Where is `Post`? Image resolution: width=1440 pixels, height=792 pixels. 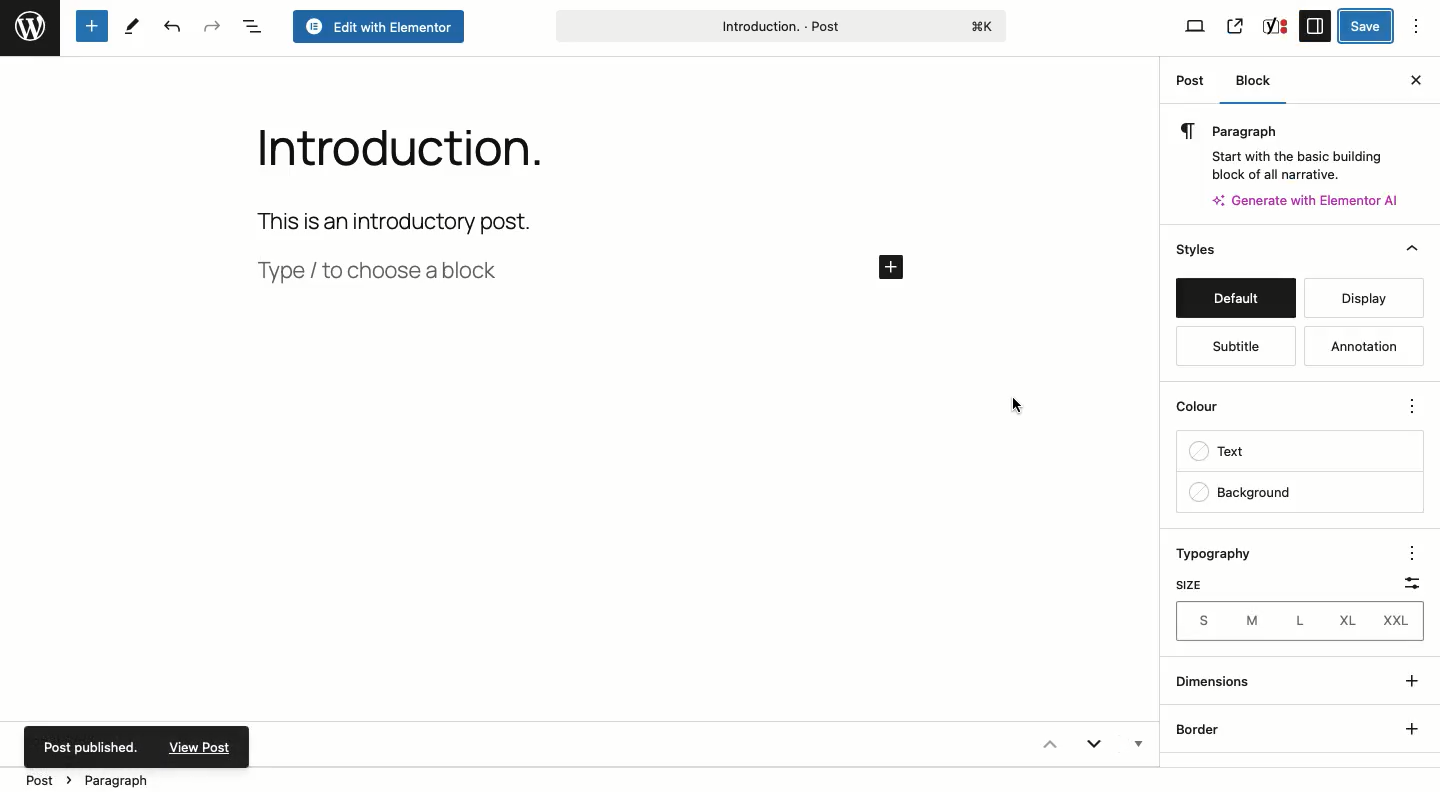
Post is located at coordinates (1192, 84).